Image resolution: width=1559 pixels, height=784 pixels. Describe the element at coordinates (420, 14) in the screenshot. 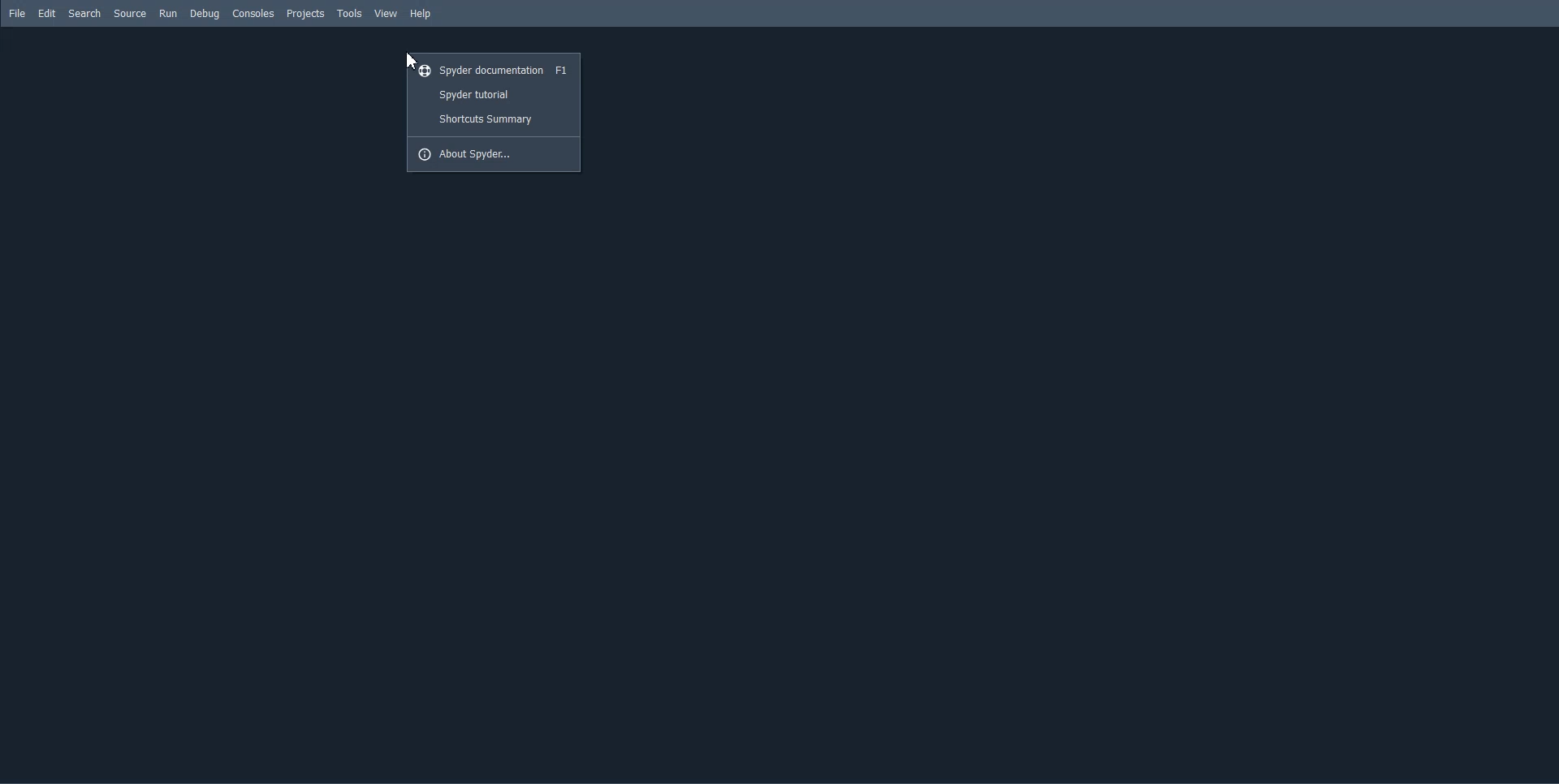

I see `Help` at that location.